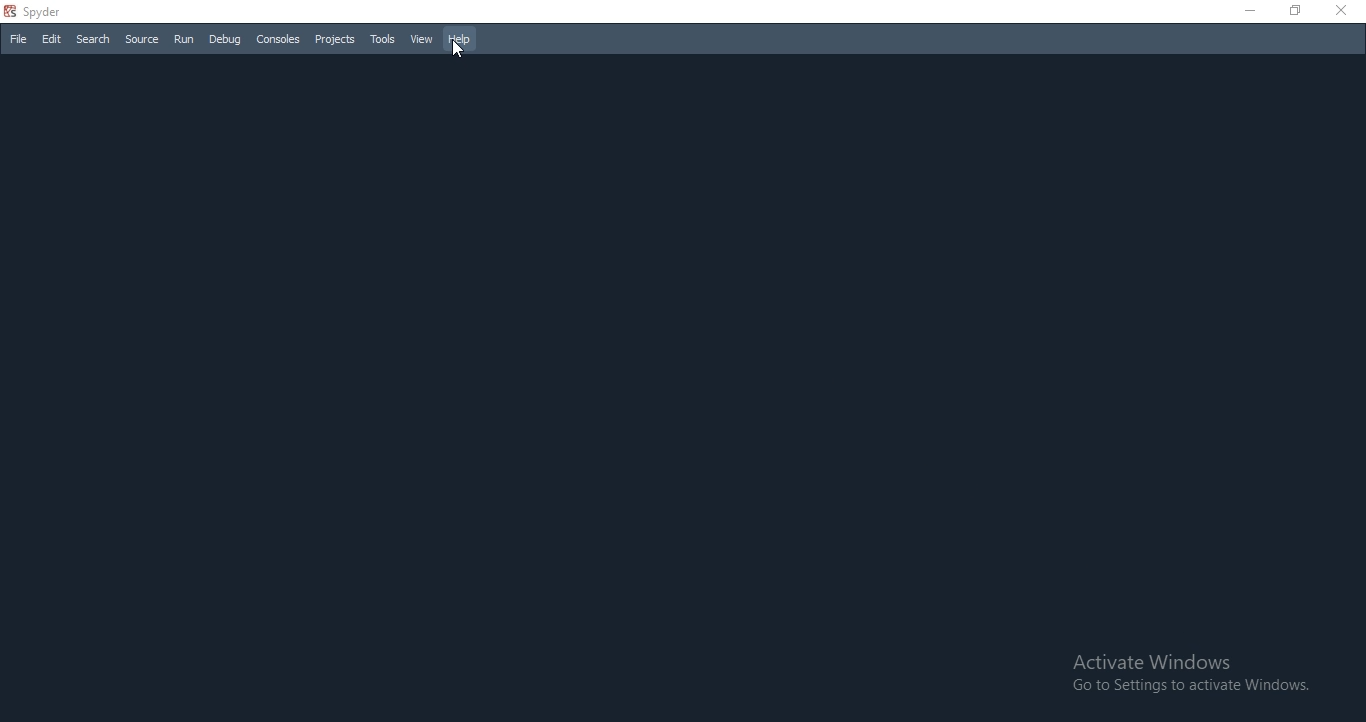 This screenshot has width=1366, height=722. I want to click on cursor, so click(459, 51).